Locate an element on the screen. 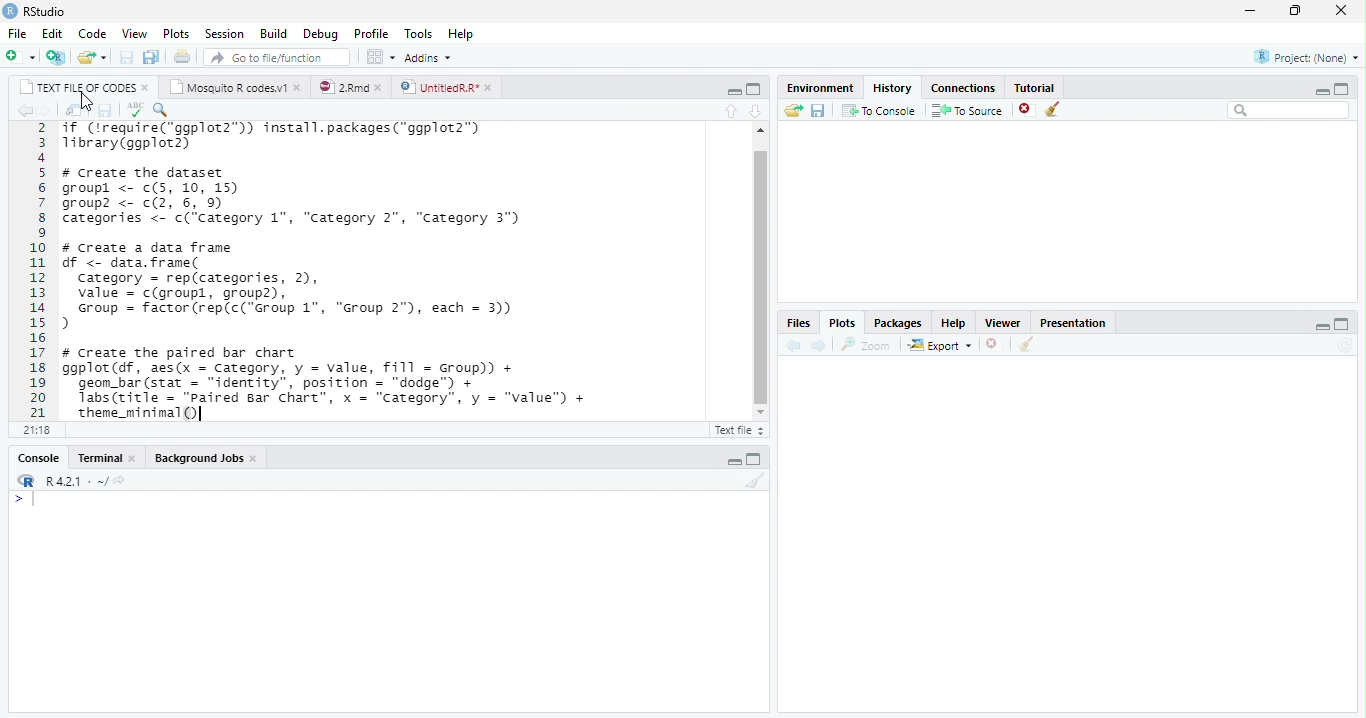 The width and height of the screenshot is (1366, 718). zoom is located at coordinates (867, 344).